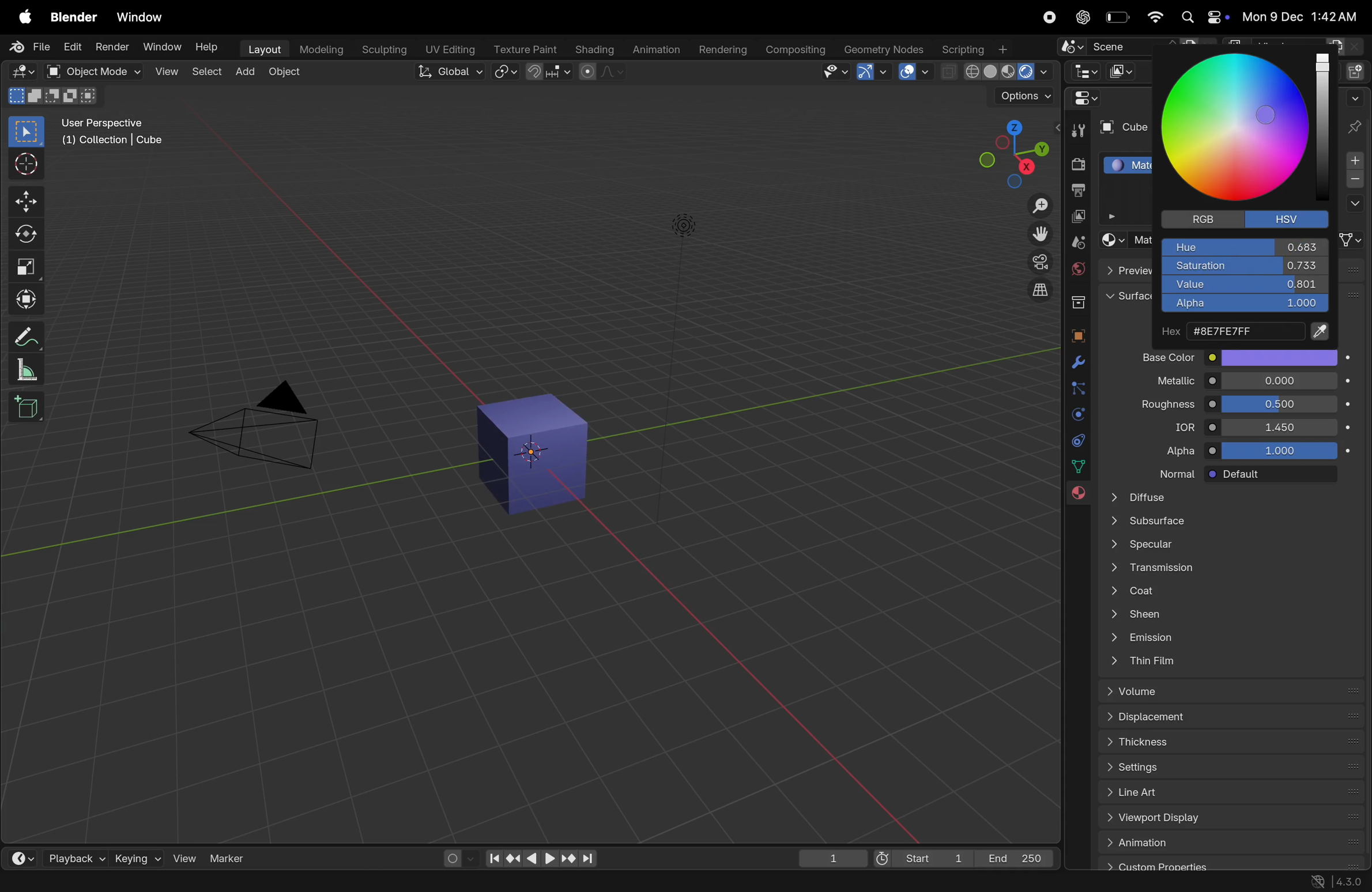 This screenshot has height=892, width=1372. What do you see at coordinates (1227, 819) in the screenshot?
I see `view port display` at bounding box center [1227, 819].